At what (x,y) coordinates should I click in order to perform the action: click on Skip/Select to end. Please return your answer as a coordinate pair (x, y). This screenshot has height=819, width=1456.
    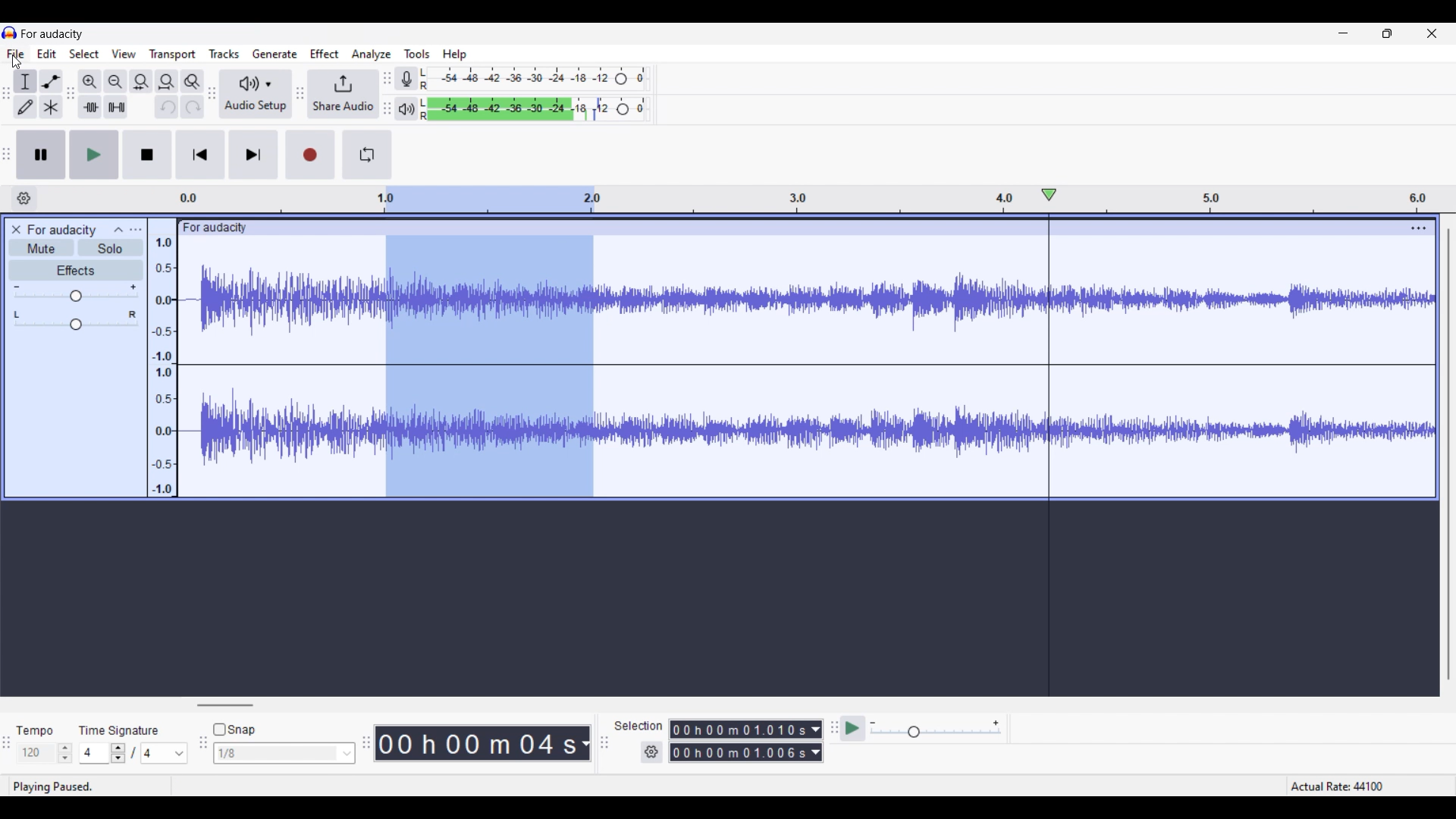
    Looking at the image, I should click on (253, 155).